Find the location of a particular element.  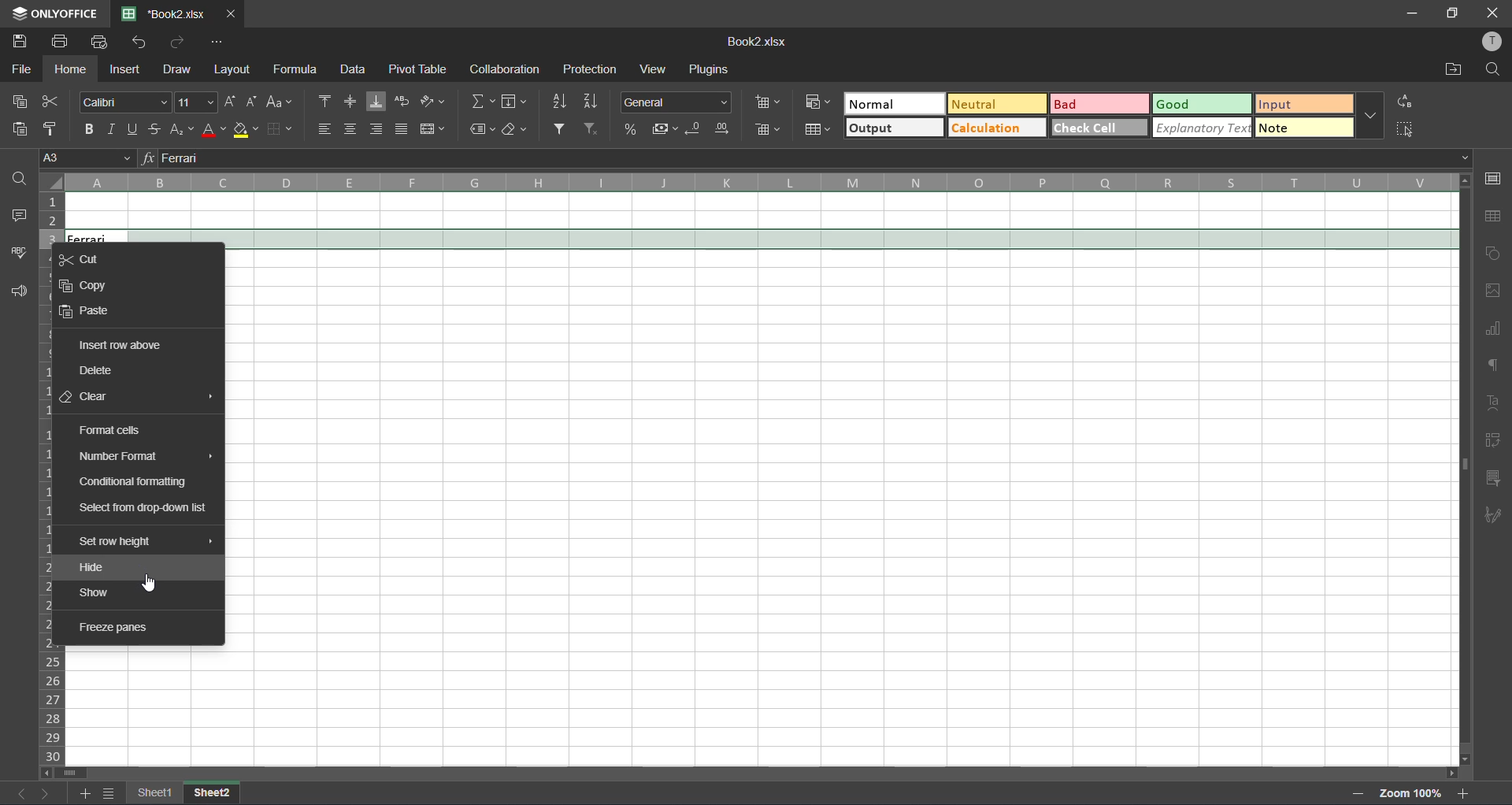

row numbers is located at coordinates (54, 477).